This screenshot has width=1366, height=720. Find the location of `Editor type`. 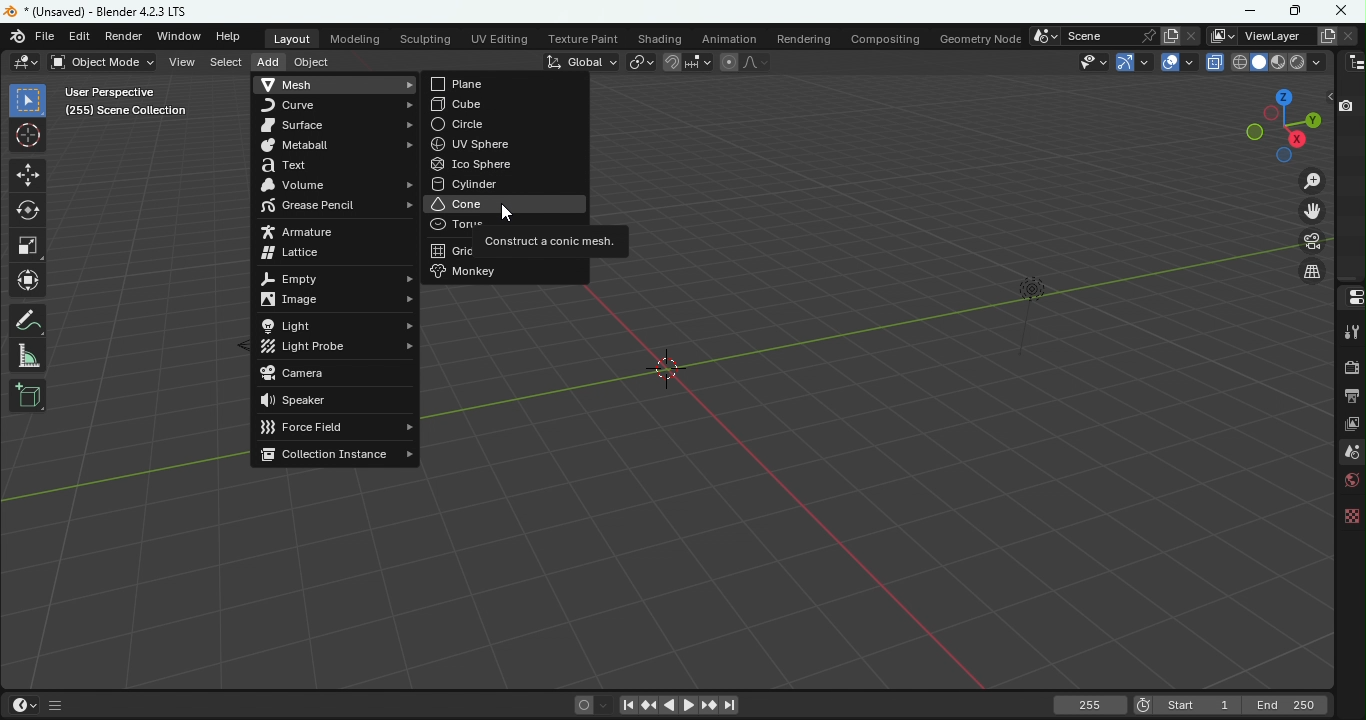

Editor type is located at coordinates (1352, 62).